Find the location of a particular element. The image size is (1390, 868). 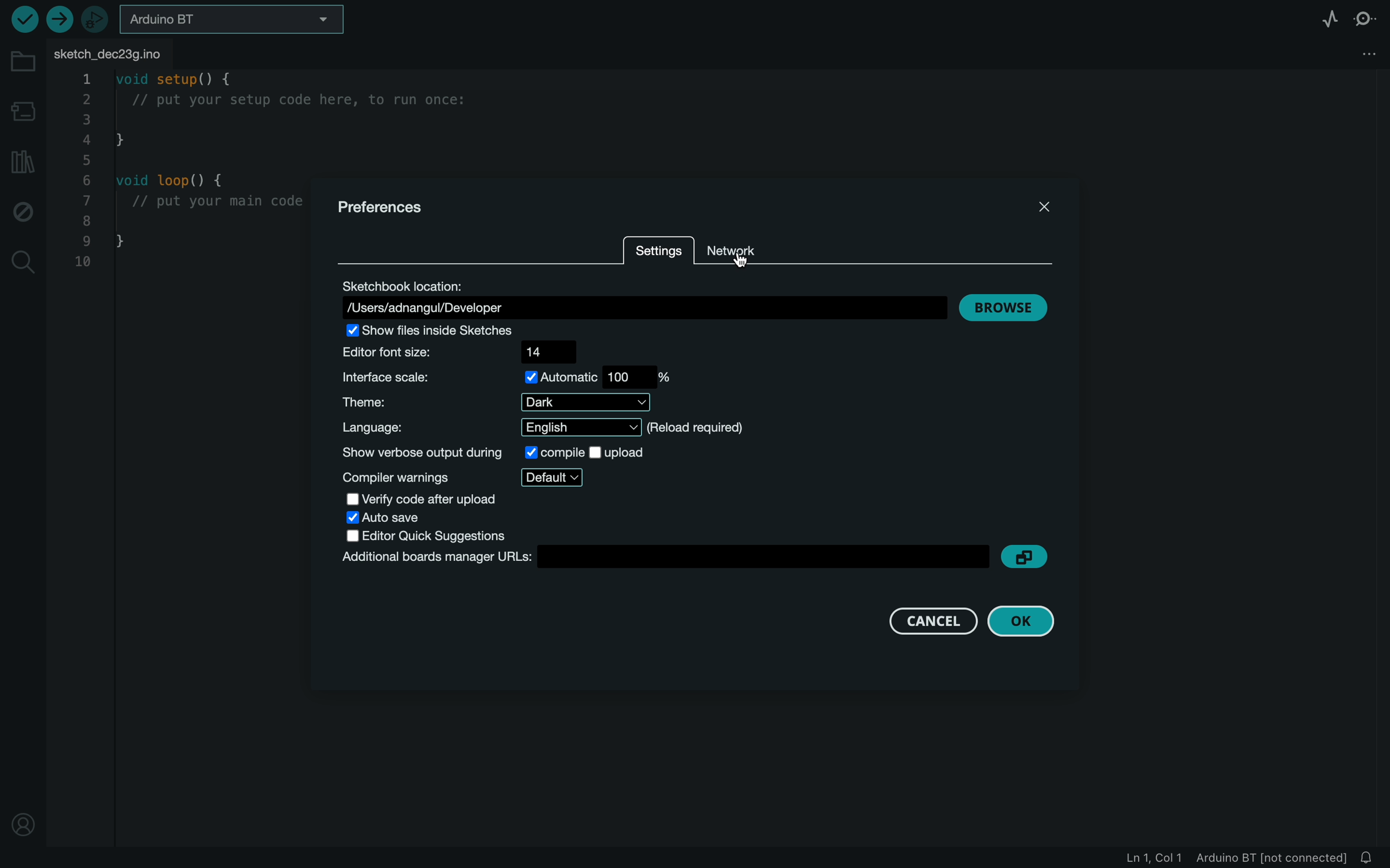

scale is located at coordinates (507, 377).